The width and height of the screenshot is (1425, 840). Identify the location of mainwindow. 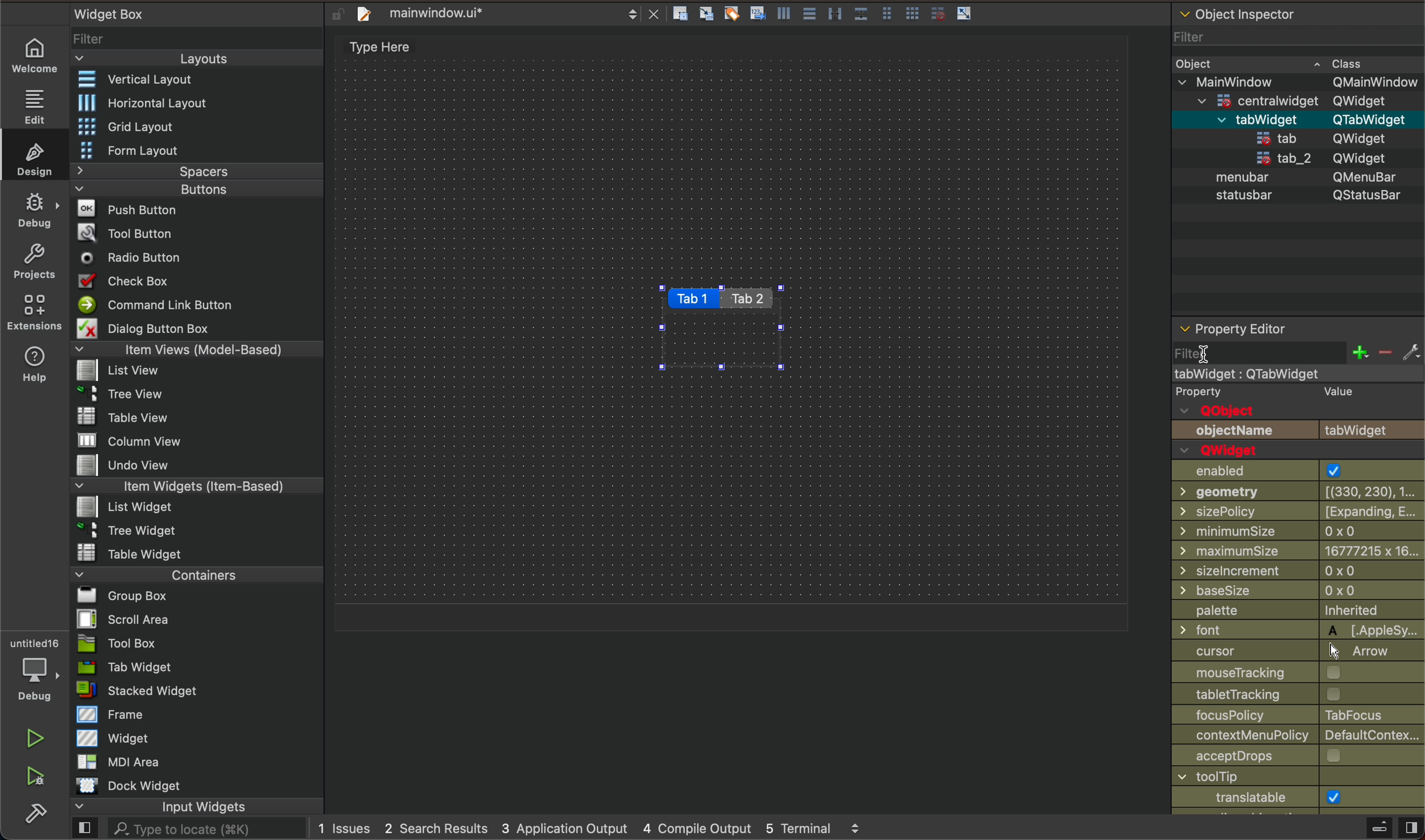
(1300, 373).